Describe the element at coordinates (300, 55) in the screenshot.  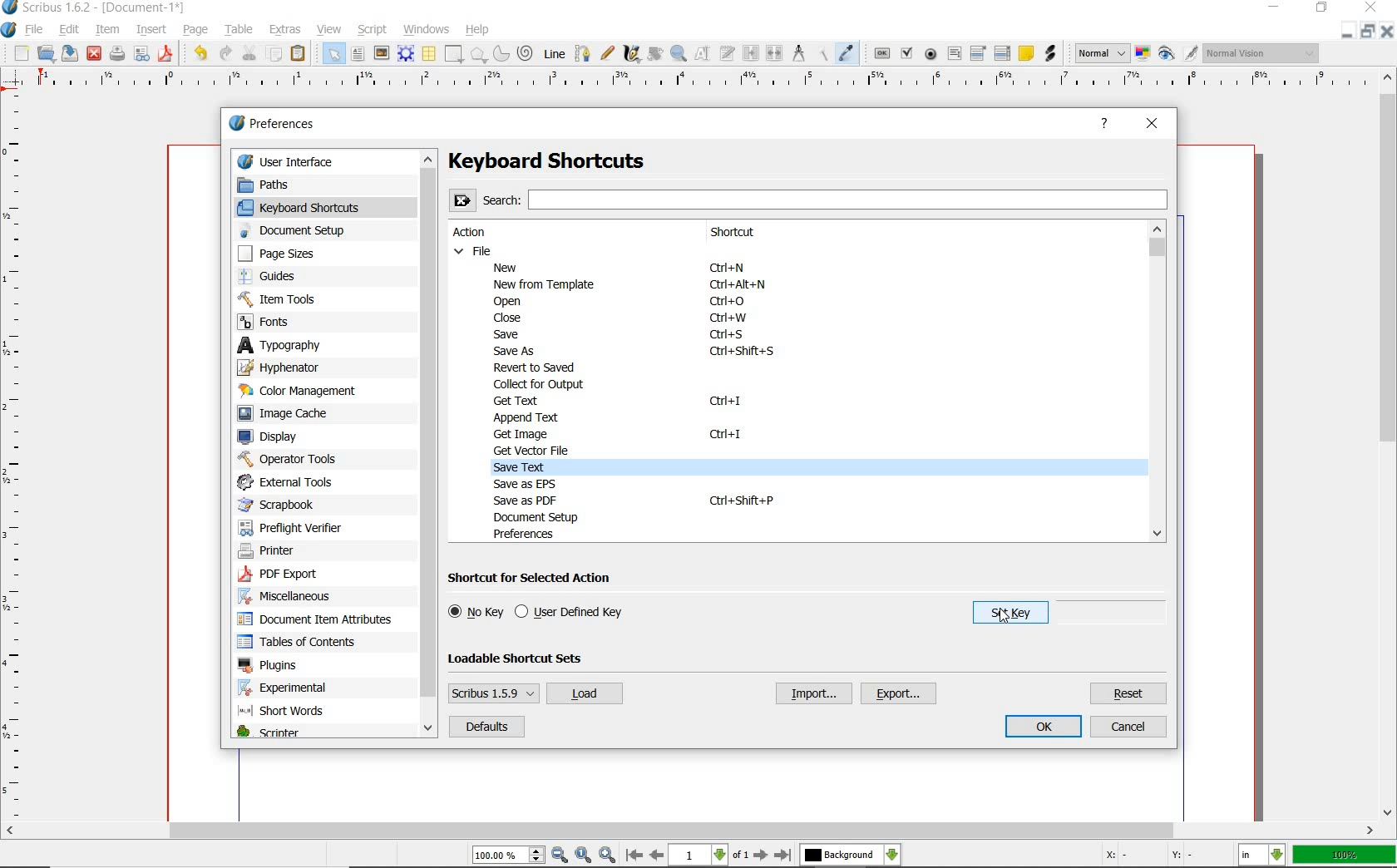
I see `paste` at that location.